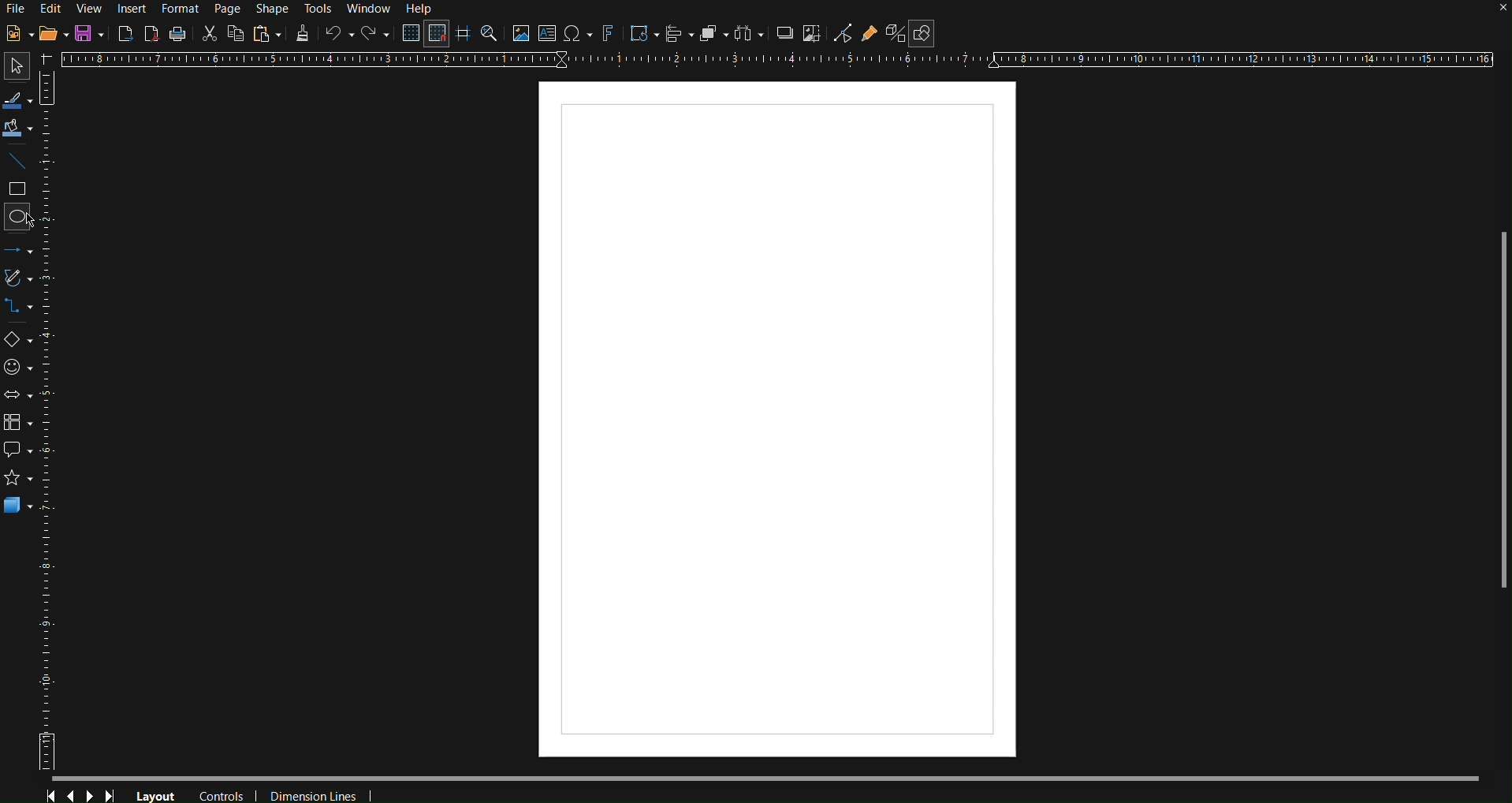 This screenshot has width=1512, height=803. I want to click on New, so click(15, 35).